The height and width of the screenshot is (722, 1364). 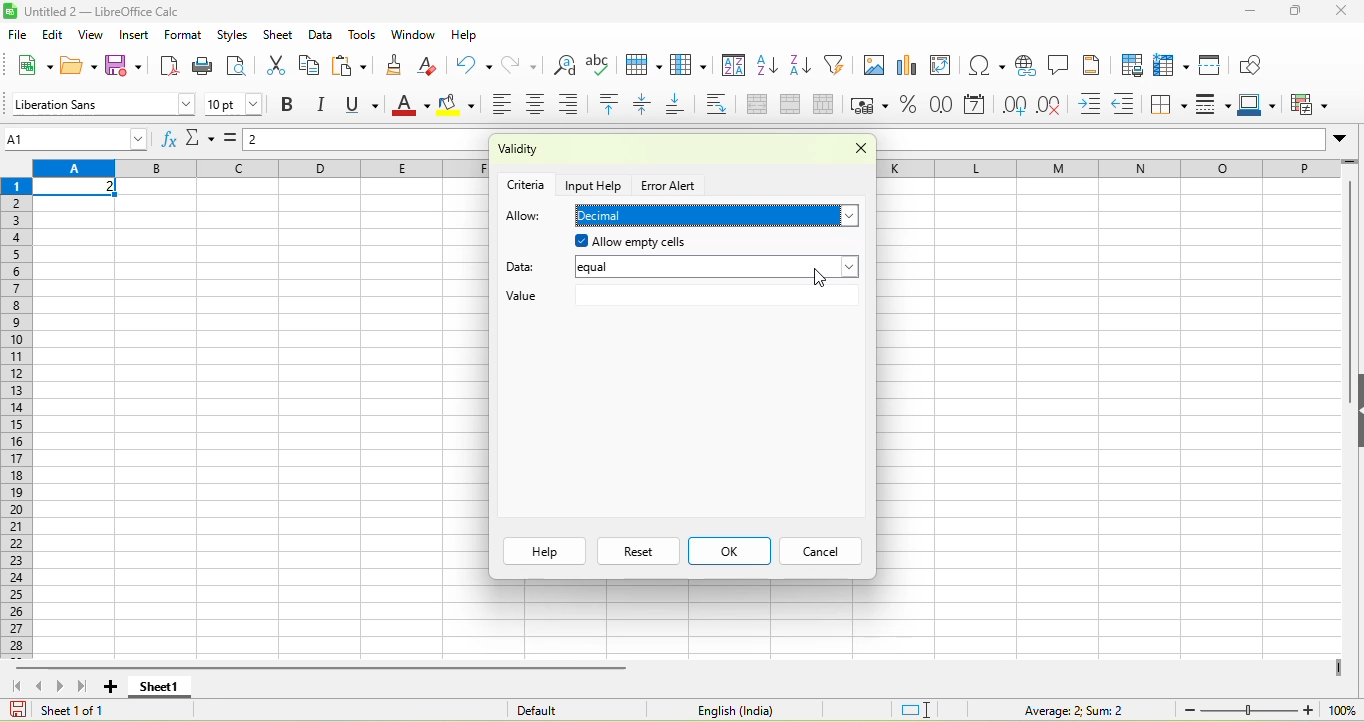 I want to click on row, so click(x=1108, y=168).